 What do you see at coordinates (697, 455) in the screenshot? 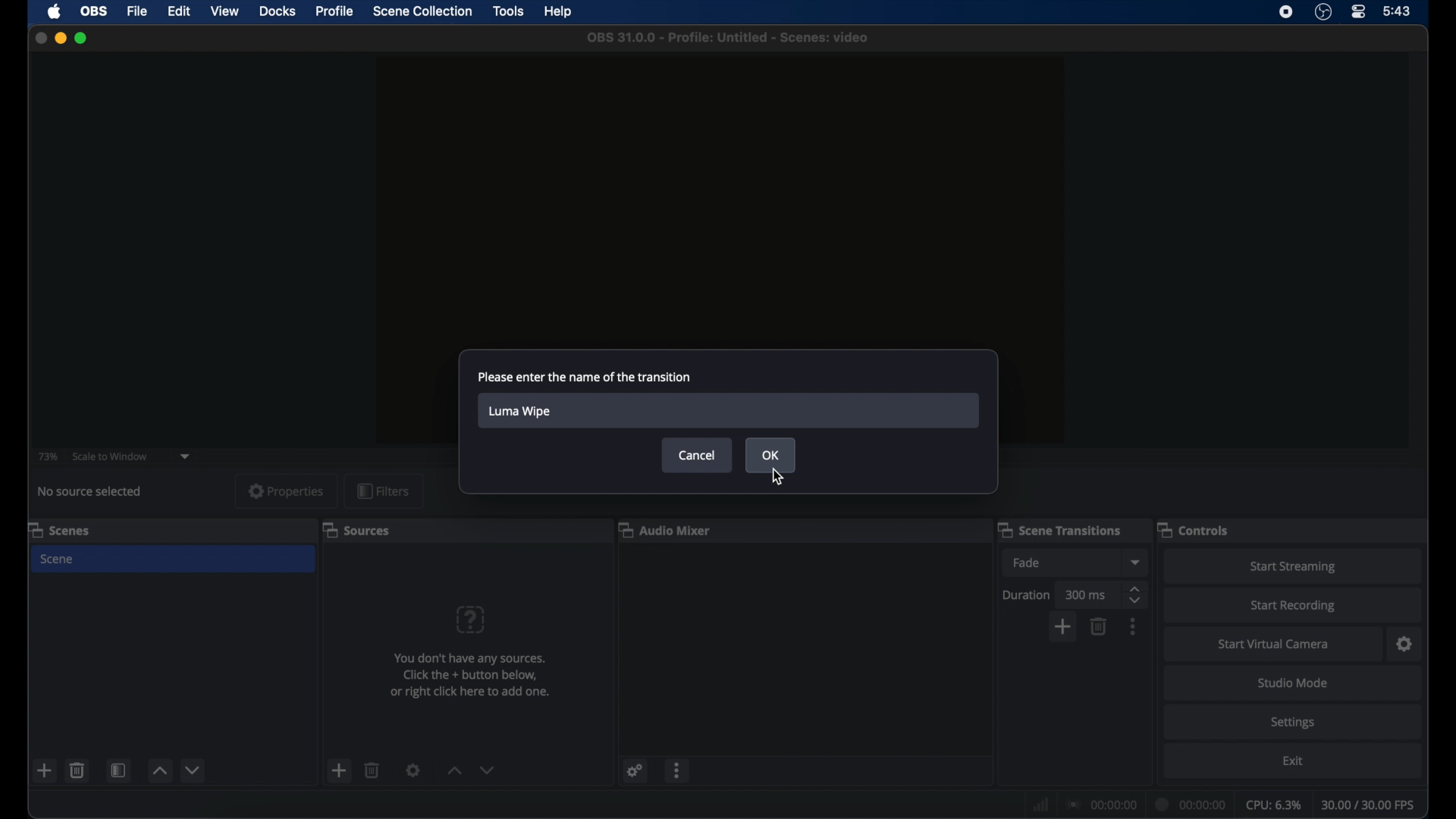
I see `cancel` at bounding box center [697, 455].